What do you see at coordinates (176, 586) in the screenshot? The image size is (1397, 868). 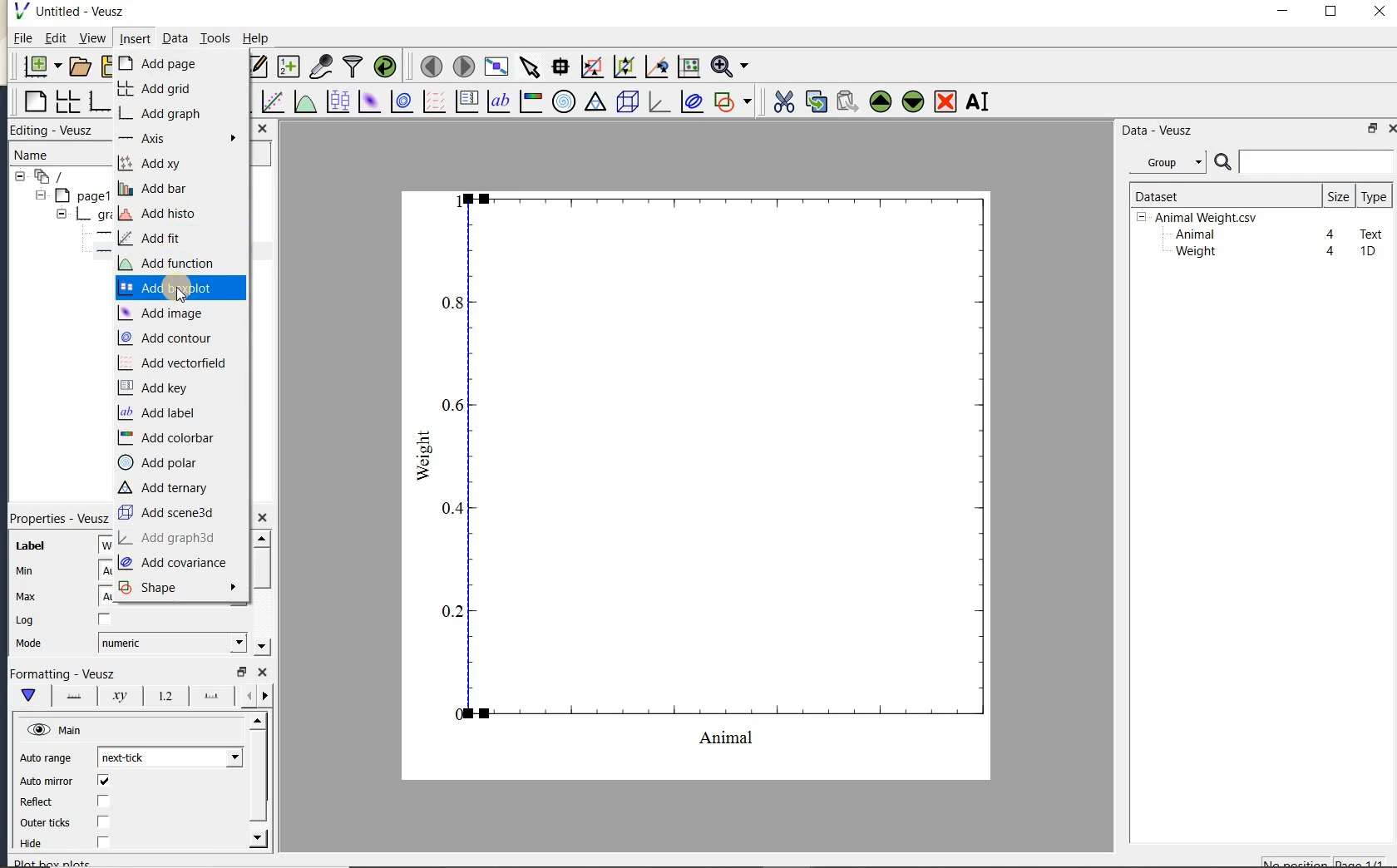 I see `shape` at bounding box center [176, 586].